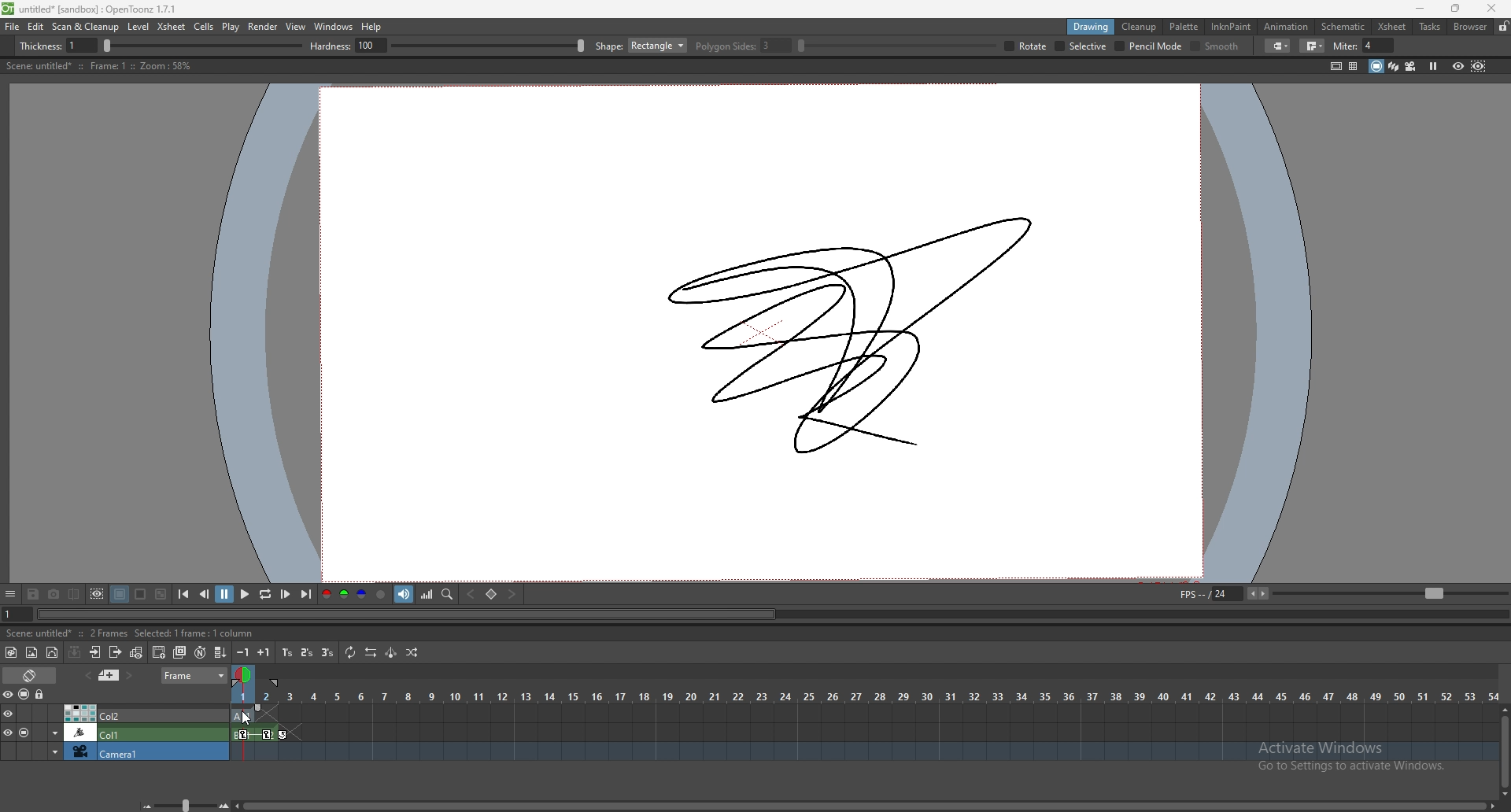 The height and width of the screenshot is (812, 1511). I want to click on collapse, so click(74, 651).